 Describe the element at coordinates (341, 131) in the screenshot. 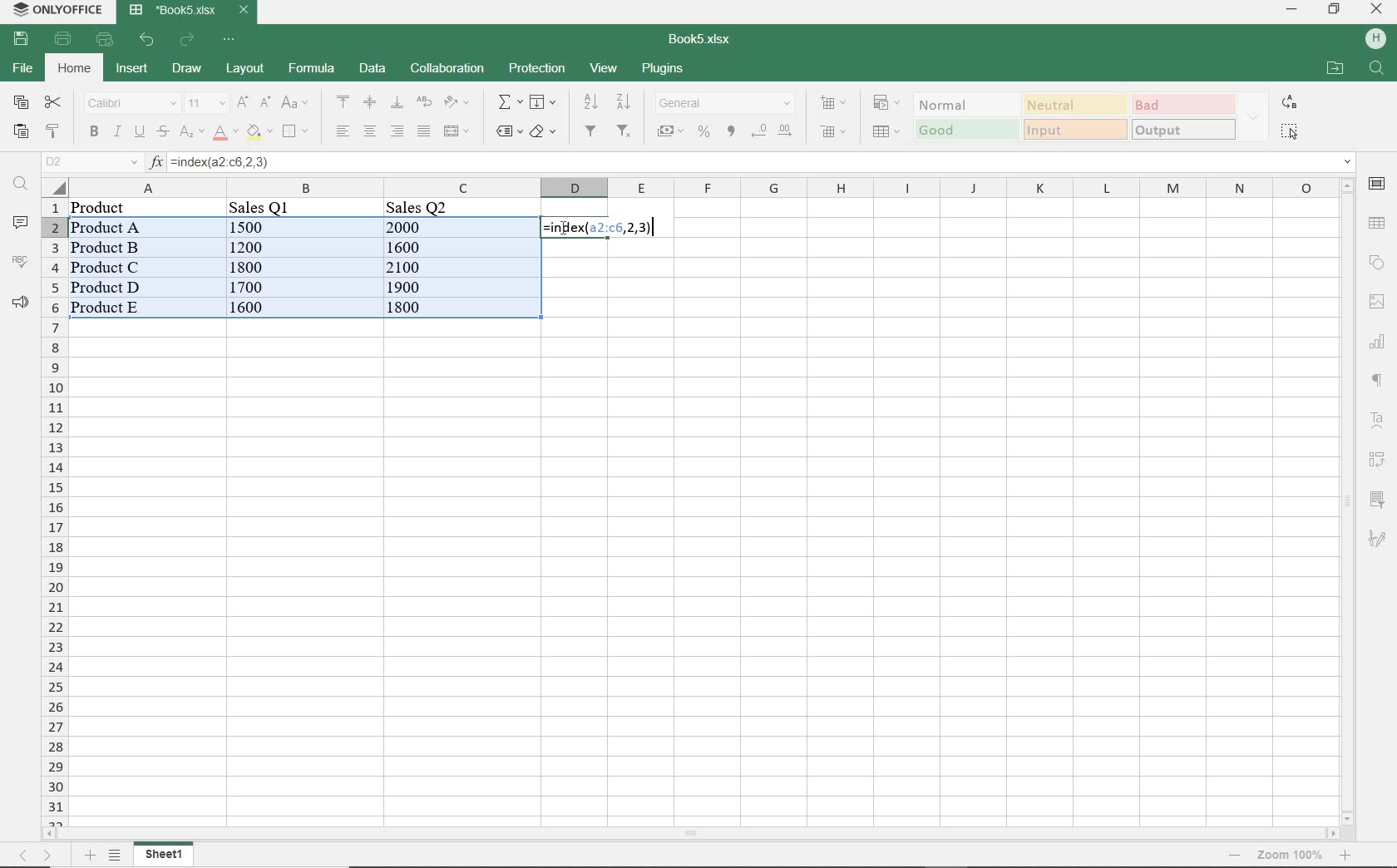

I see `align right` at that location.